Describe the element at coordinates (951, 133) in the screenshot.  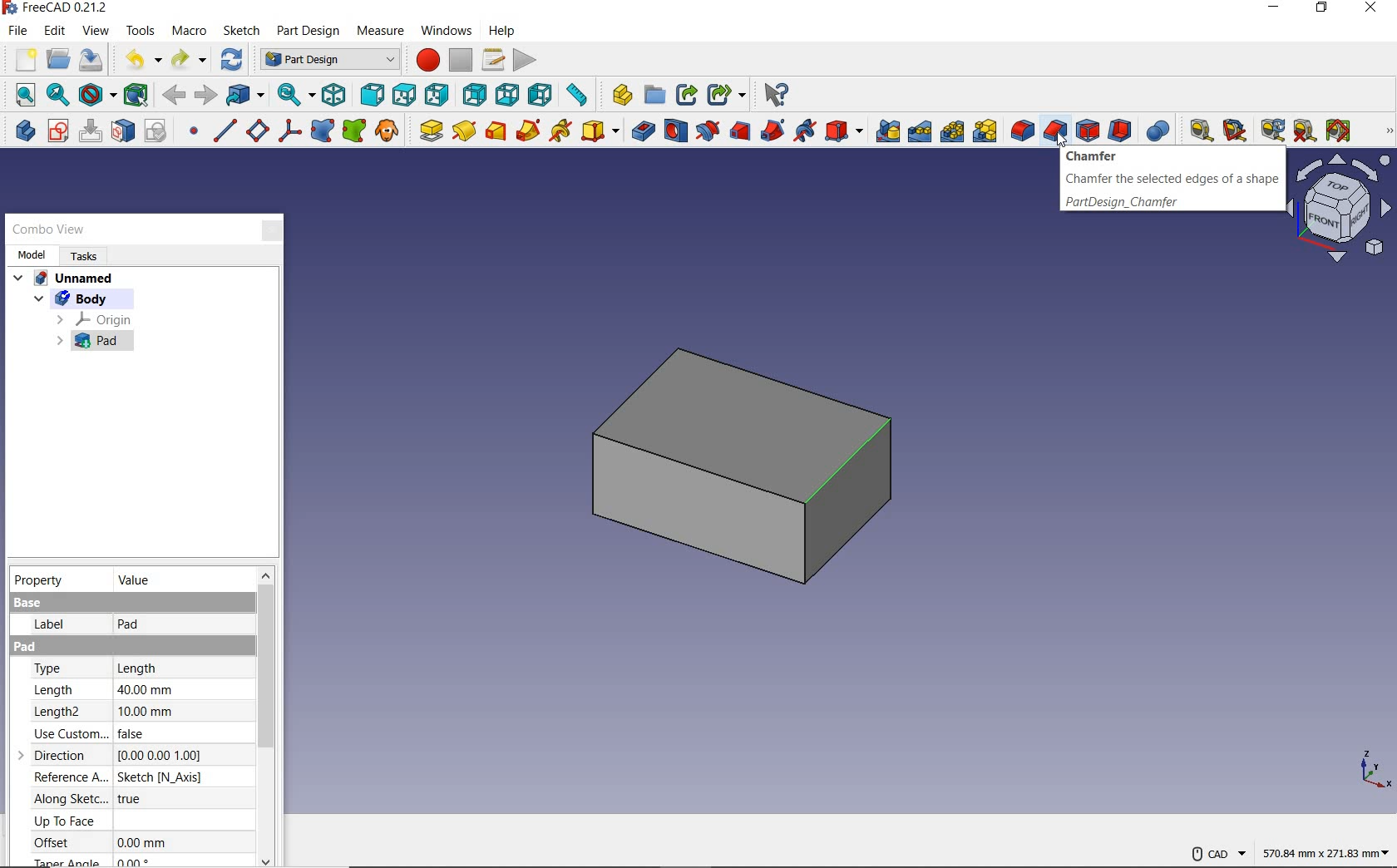
I see `pollarpattern` at that location.